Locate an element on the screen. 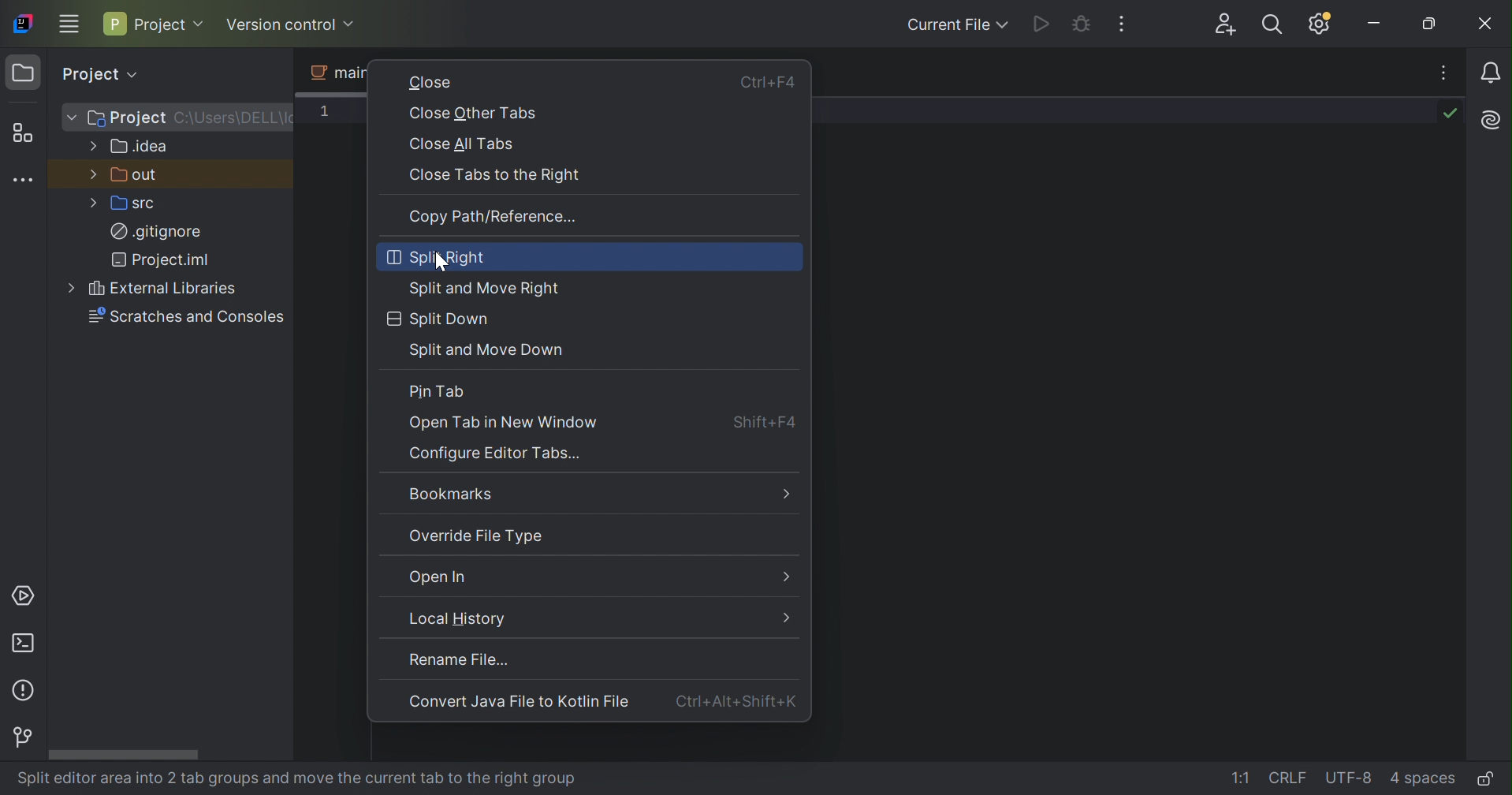 The image size is (1512, 795). Search everywhere is located at coordinates (1273, 24).